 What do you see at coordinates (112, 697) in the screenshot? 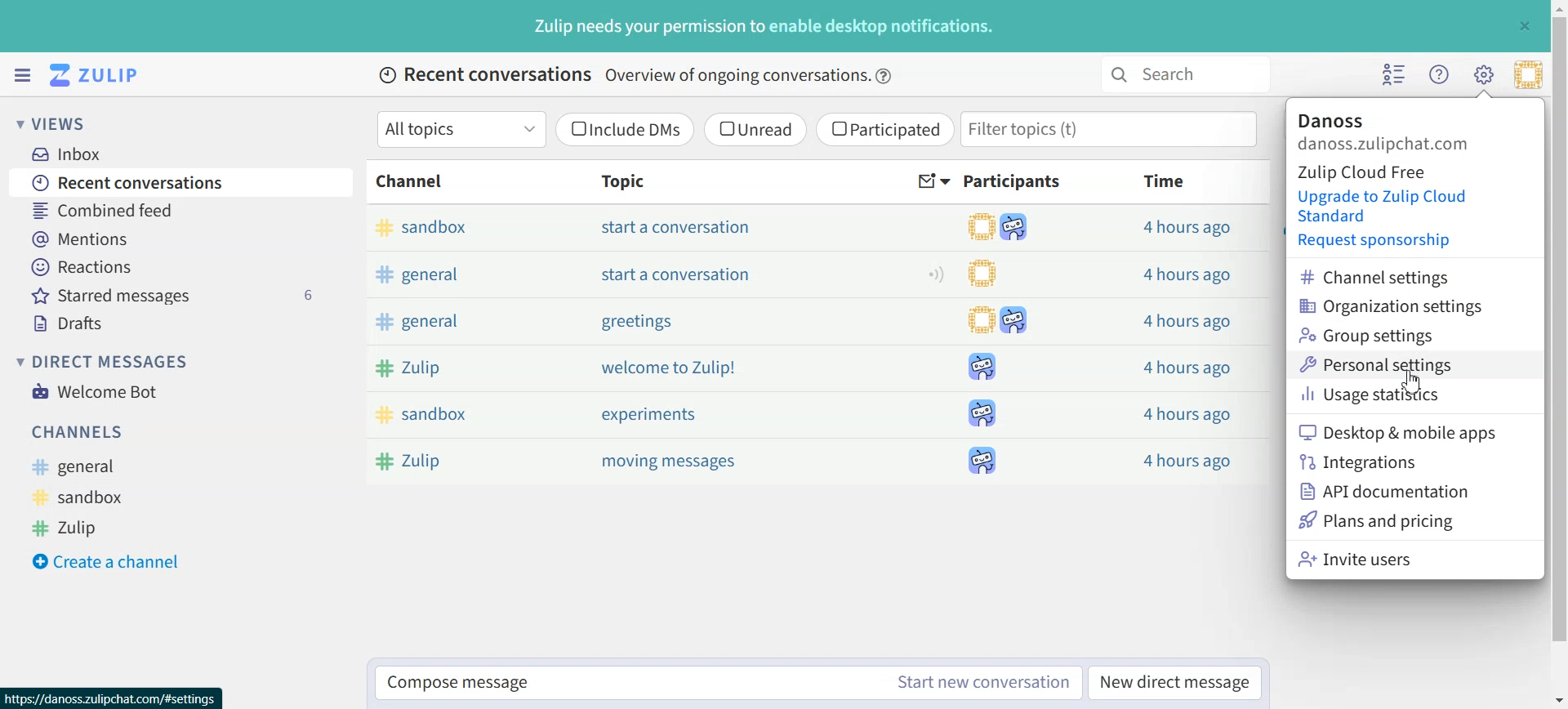
I see `https://danoss.zulipchat.com/#settings` at bounding box center [112, 697].